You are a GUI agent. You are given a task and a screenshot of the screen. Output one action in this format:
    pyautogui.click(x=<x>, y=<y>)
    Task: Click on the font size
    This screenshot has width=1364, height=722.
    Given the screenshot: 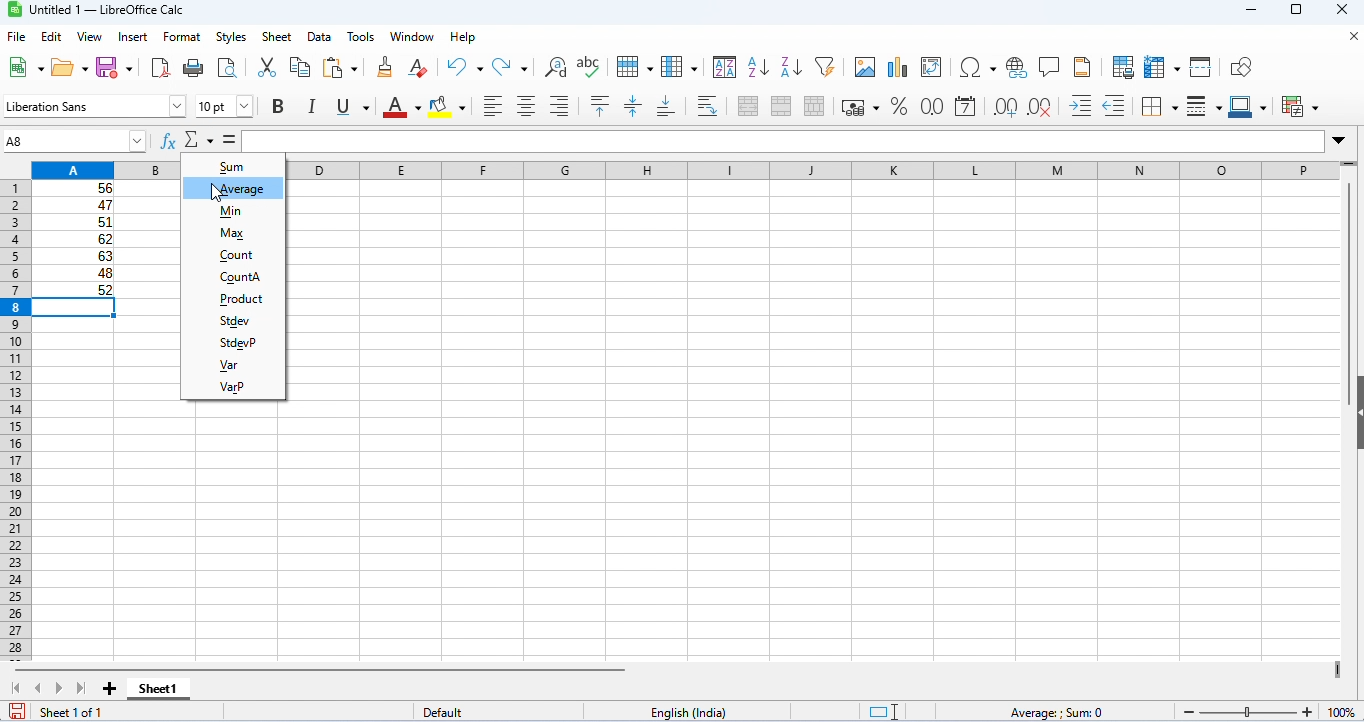 What is the action you would take?
    pyautogui.click(x=224, y=106)
    